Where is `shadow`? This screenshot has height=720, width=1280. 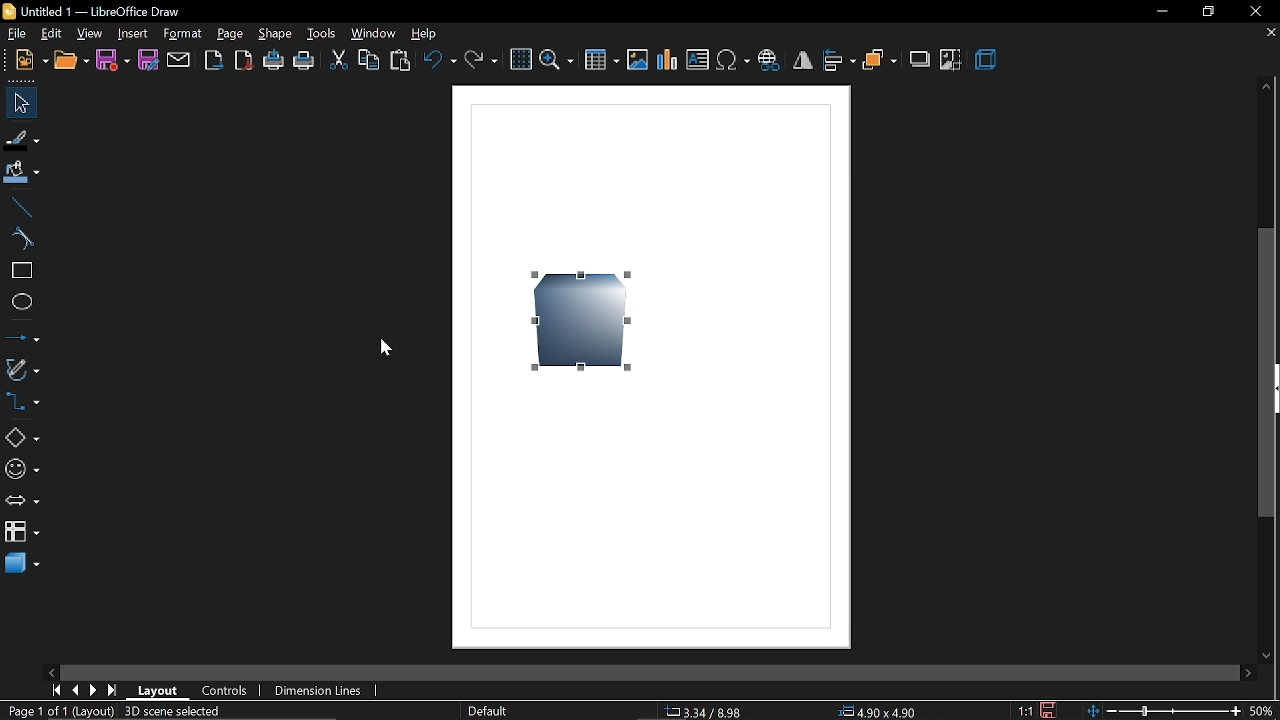
shadow is located at coordinates (922, 61).